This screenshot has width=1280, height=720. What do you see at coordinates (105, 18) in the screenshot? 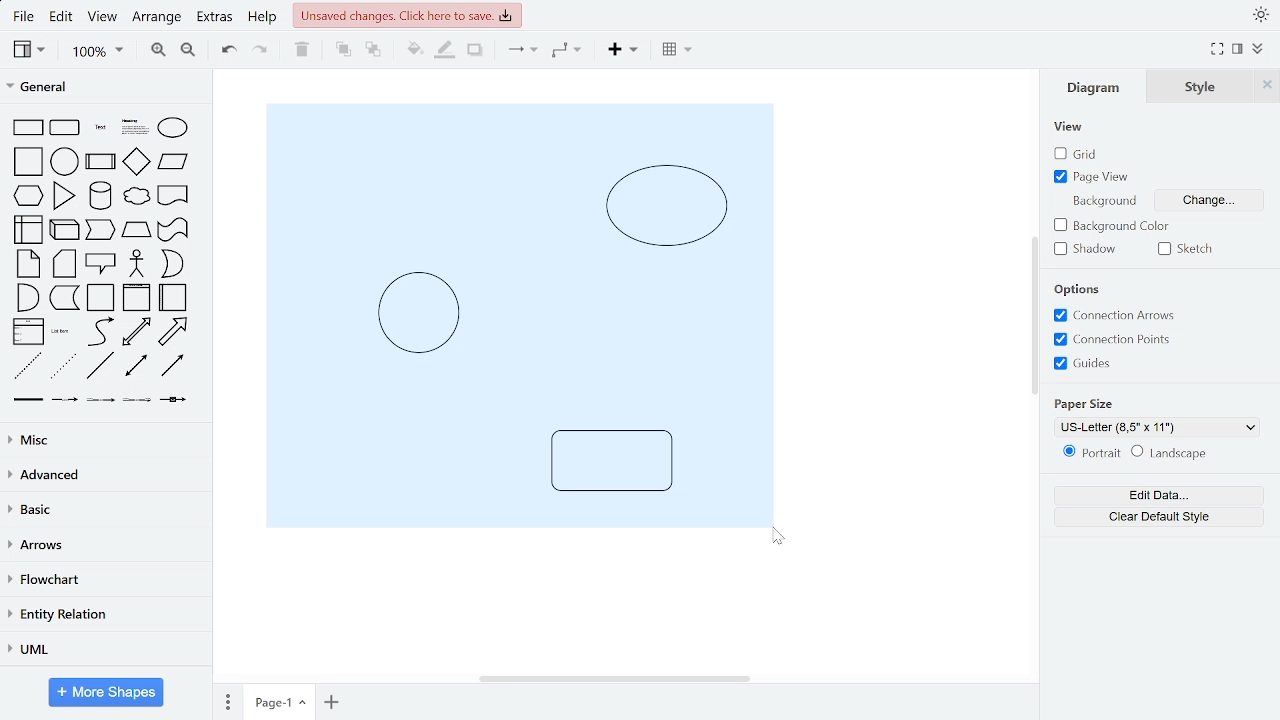
I see `view` at bounding box center [105, 18].